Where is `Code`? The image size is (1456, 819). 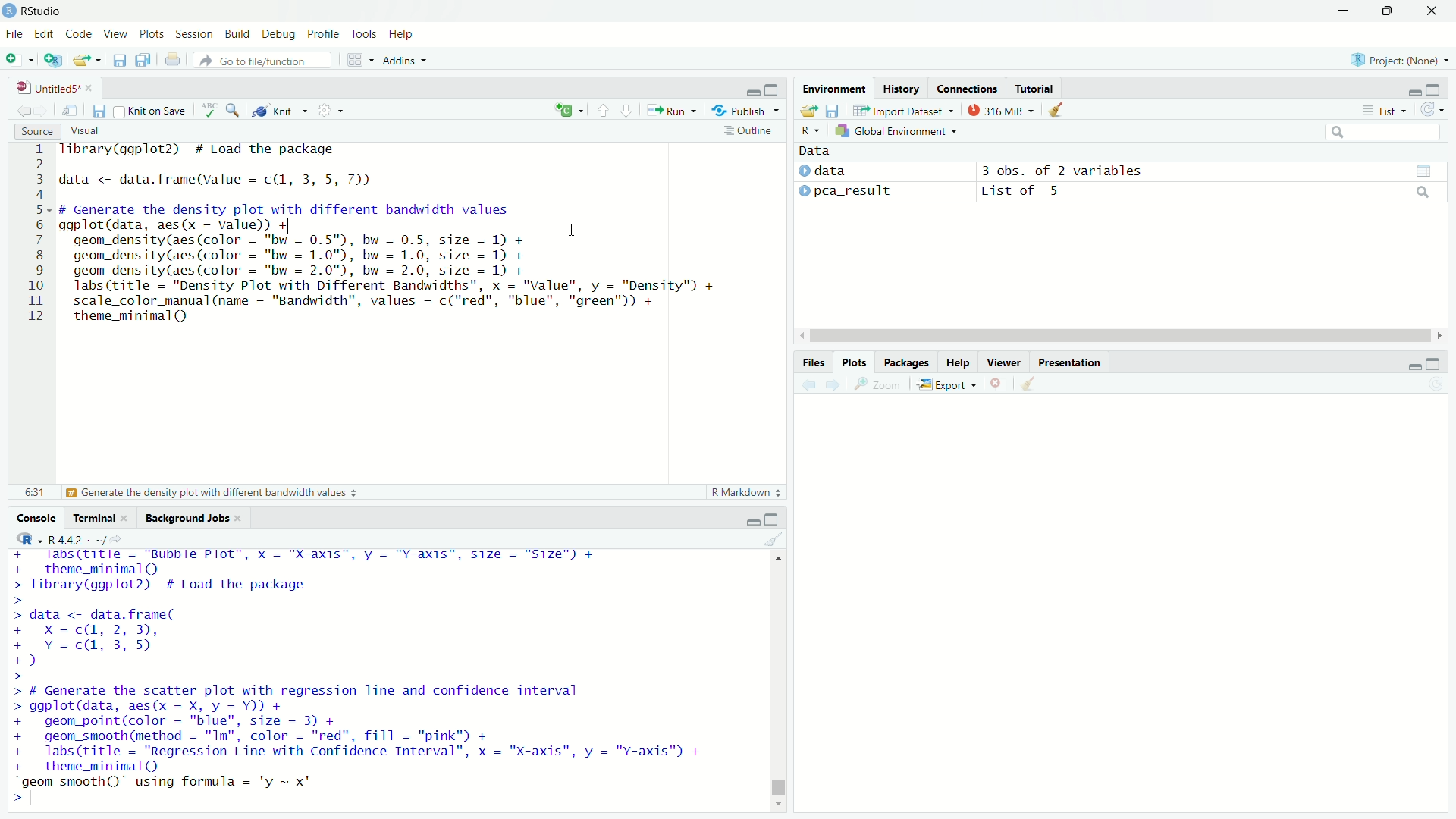
Code is located at coordinates (77, 33).